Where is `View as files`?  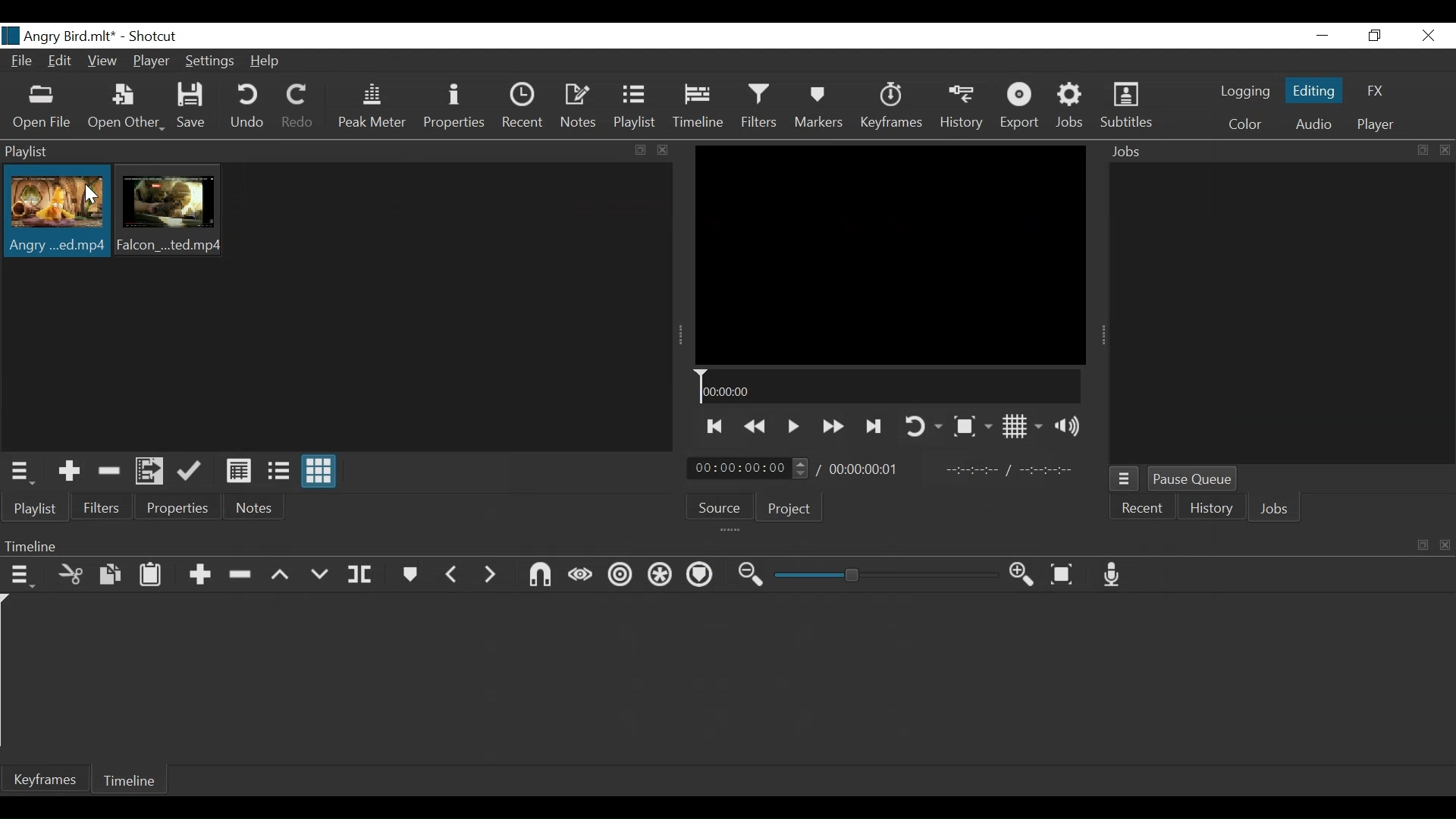 View as files is located at coordinates (279, 472).